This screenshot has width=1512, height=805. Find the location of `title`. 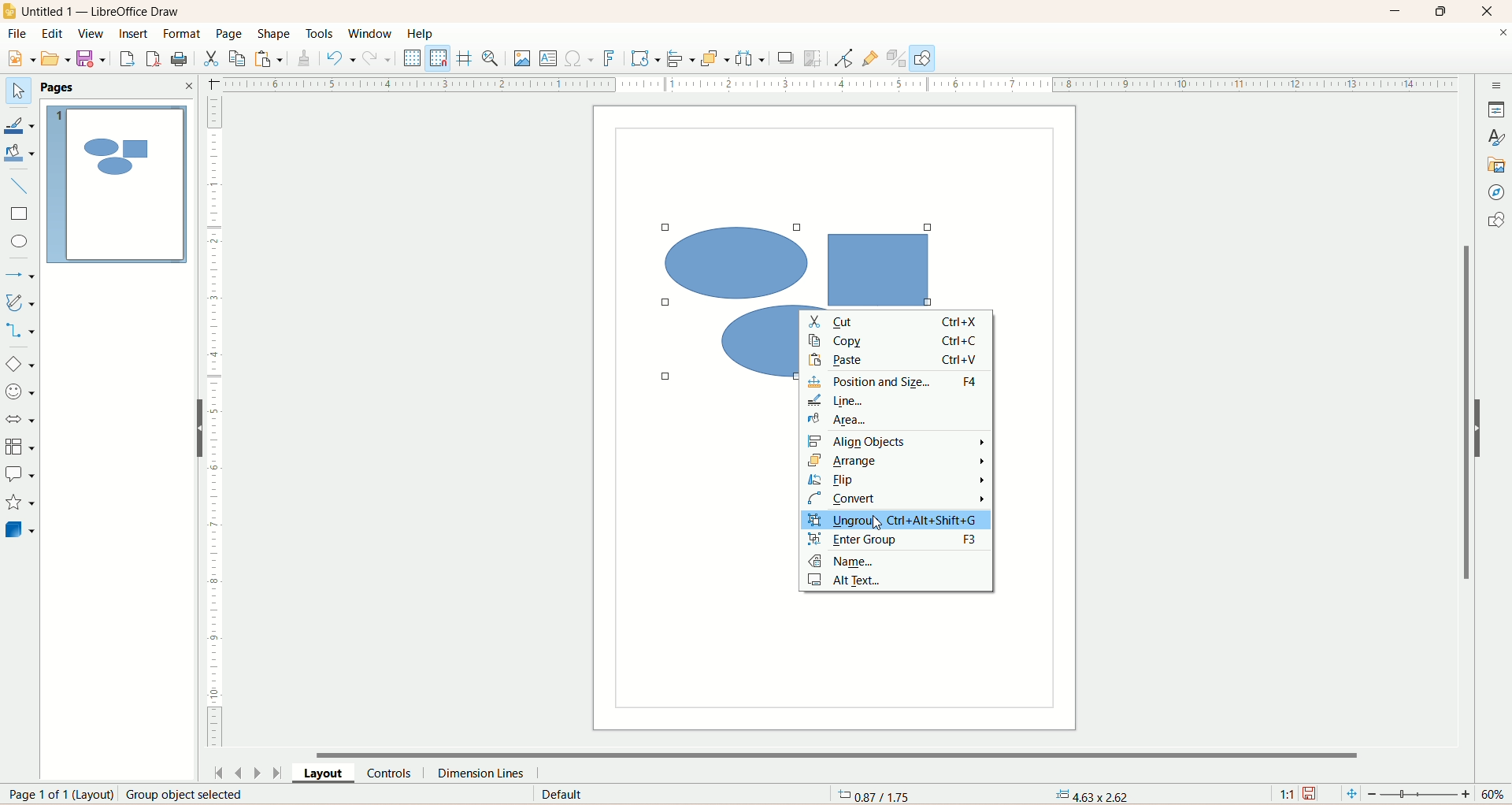

title is located at coordinates (110, 14).